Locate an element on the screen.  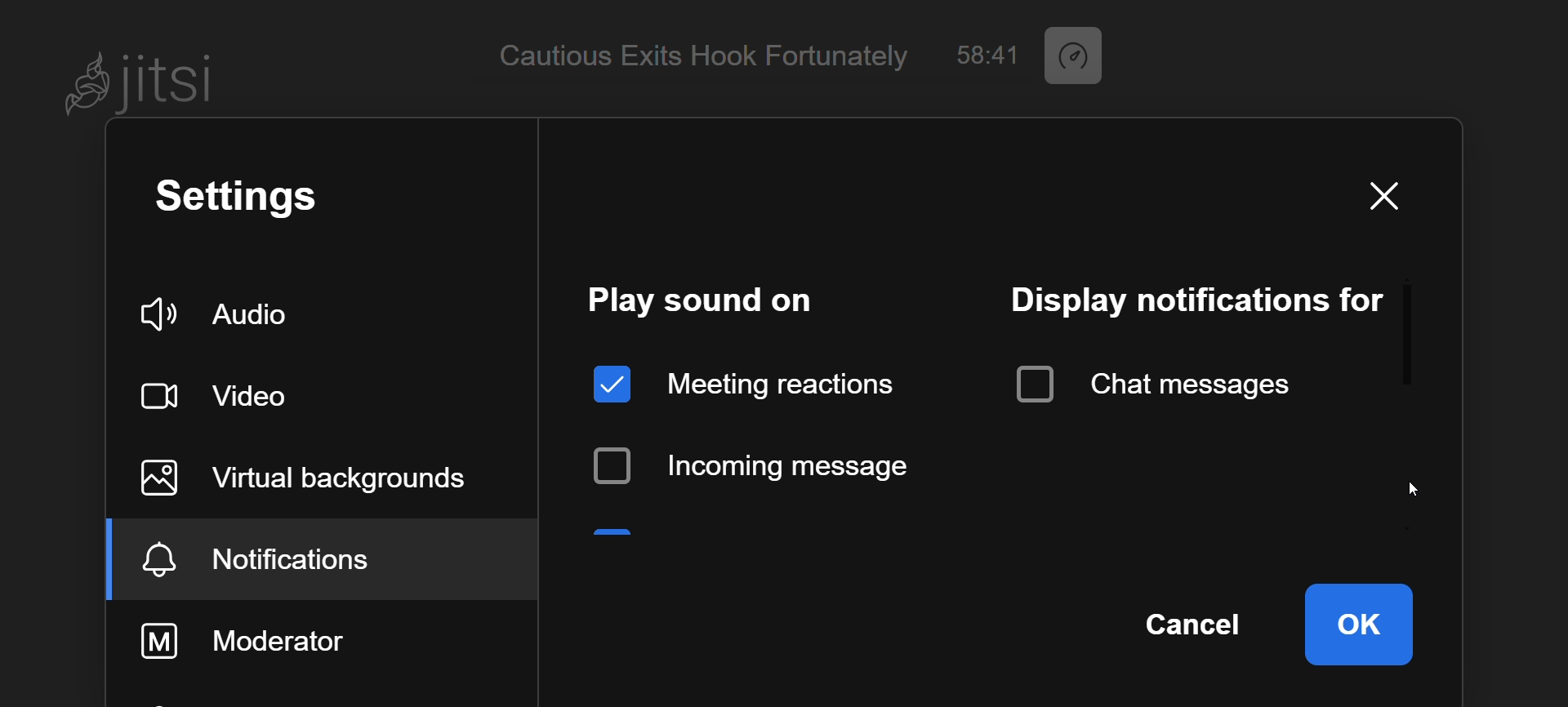
ok  is located at coordinates (1357, 623).